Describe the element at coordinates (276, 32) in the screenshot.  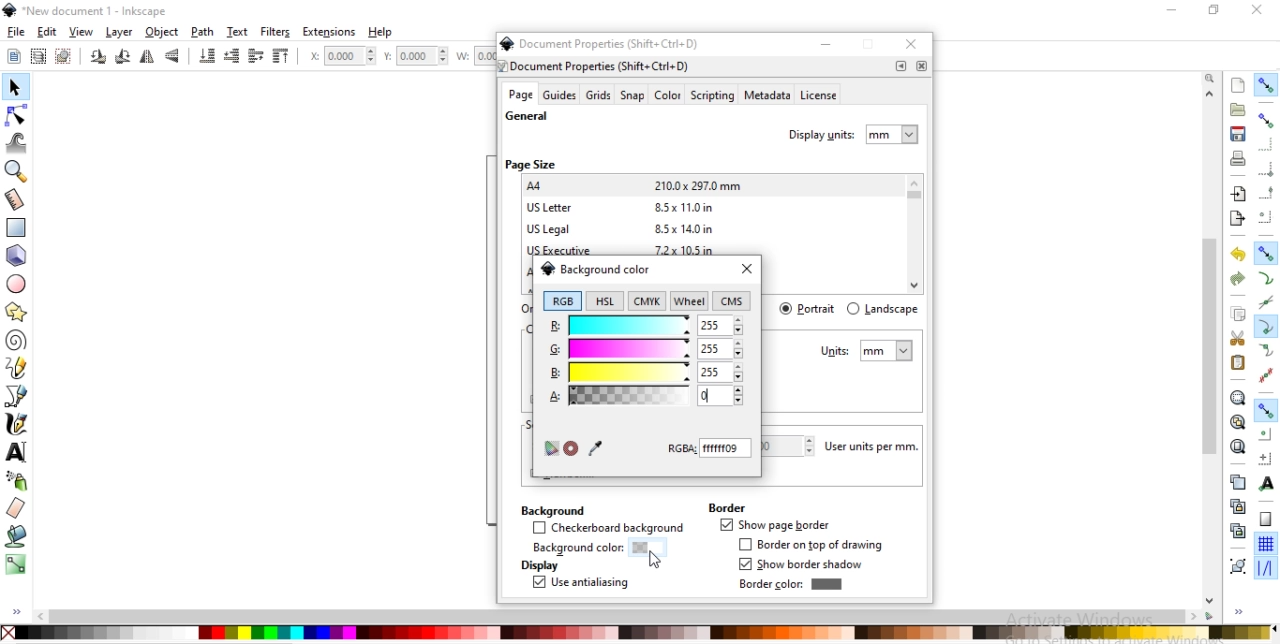
I see `filters` at that location.